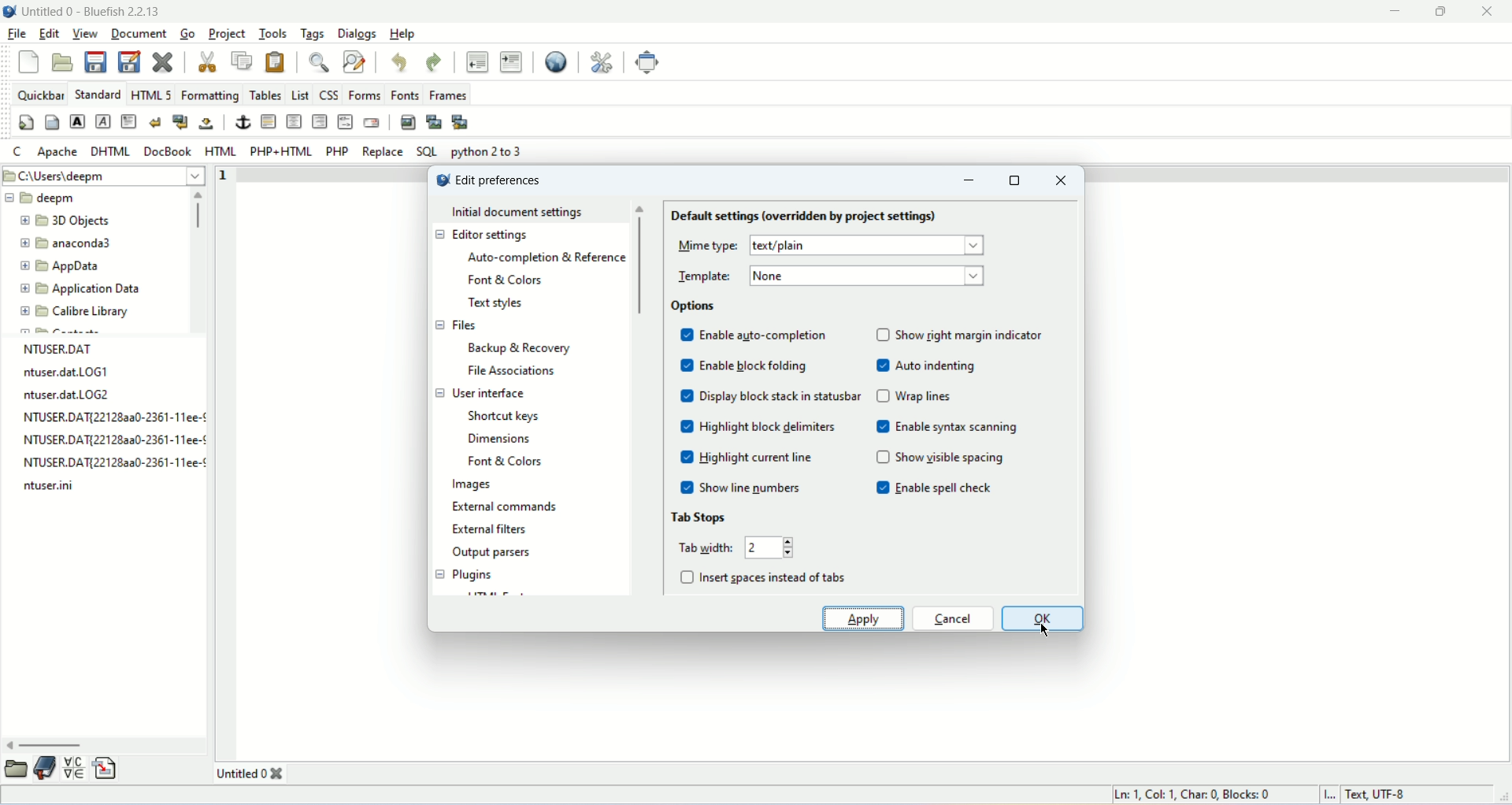 The height and width of the screenshot is (805, 1512). What do you see at coordinates (59, 201) in the screenshot?
I see `deepm` at bounding box center [59, 201].